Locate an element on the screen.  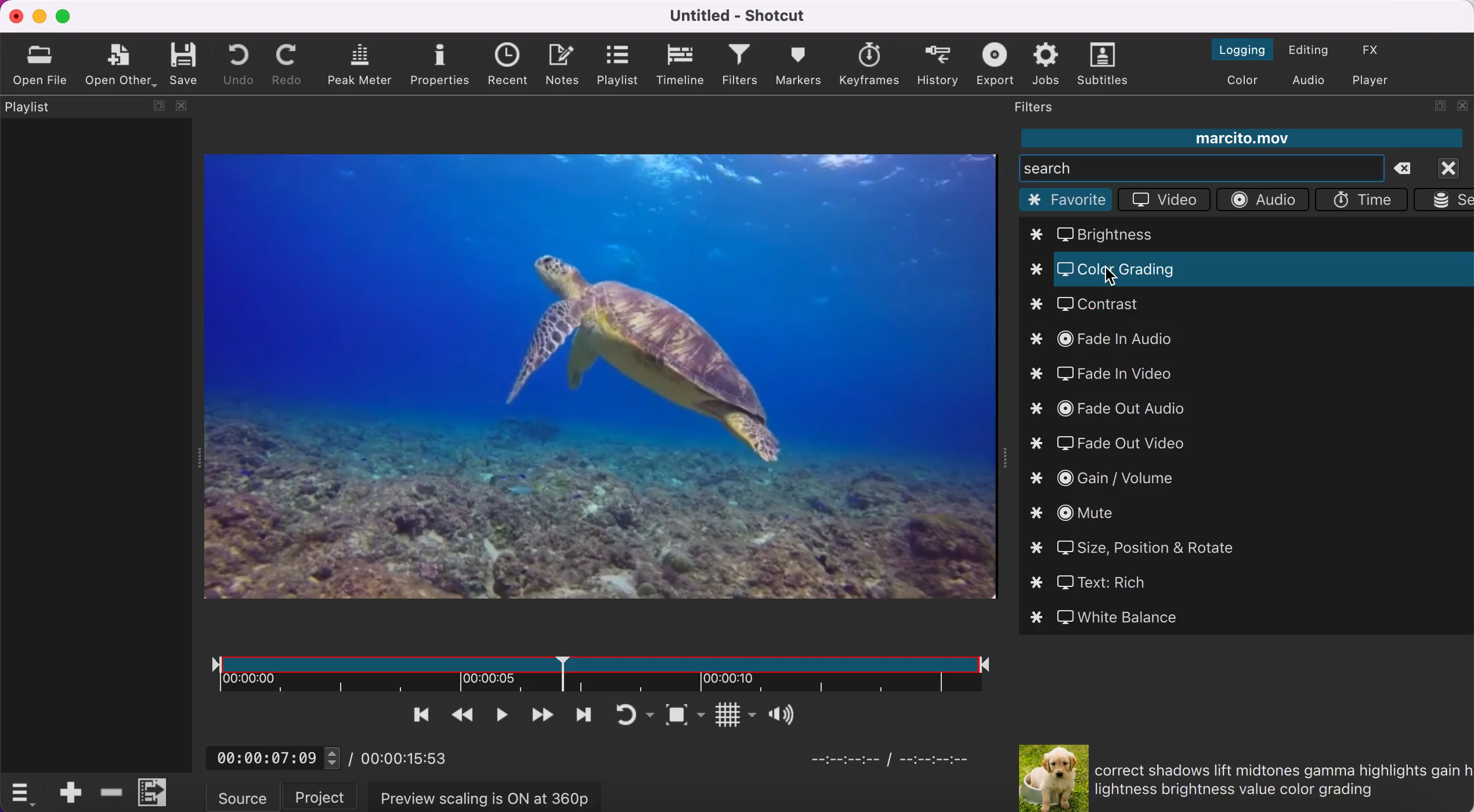
redo is located at coordinates (289, 64).